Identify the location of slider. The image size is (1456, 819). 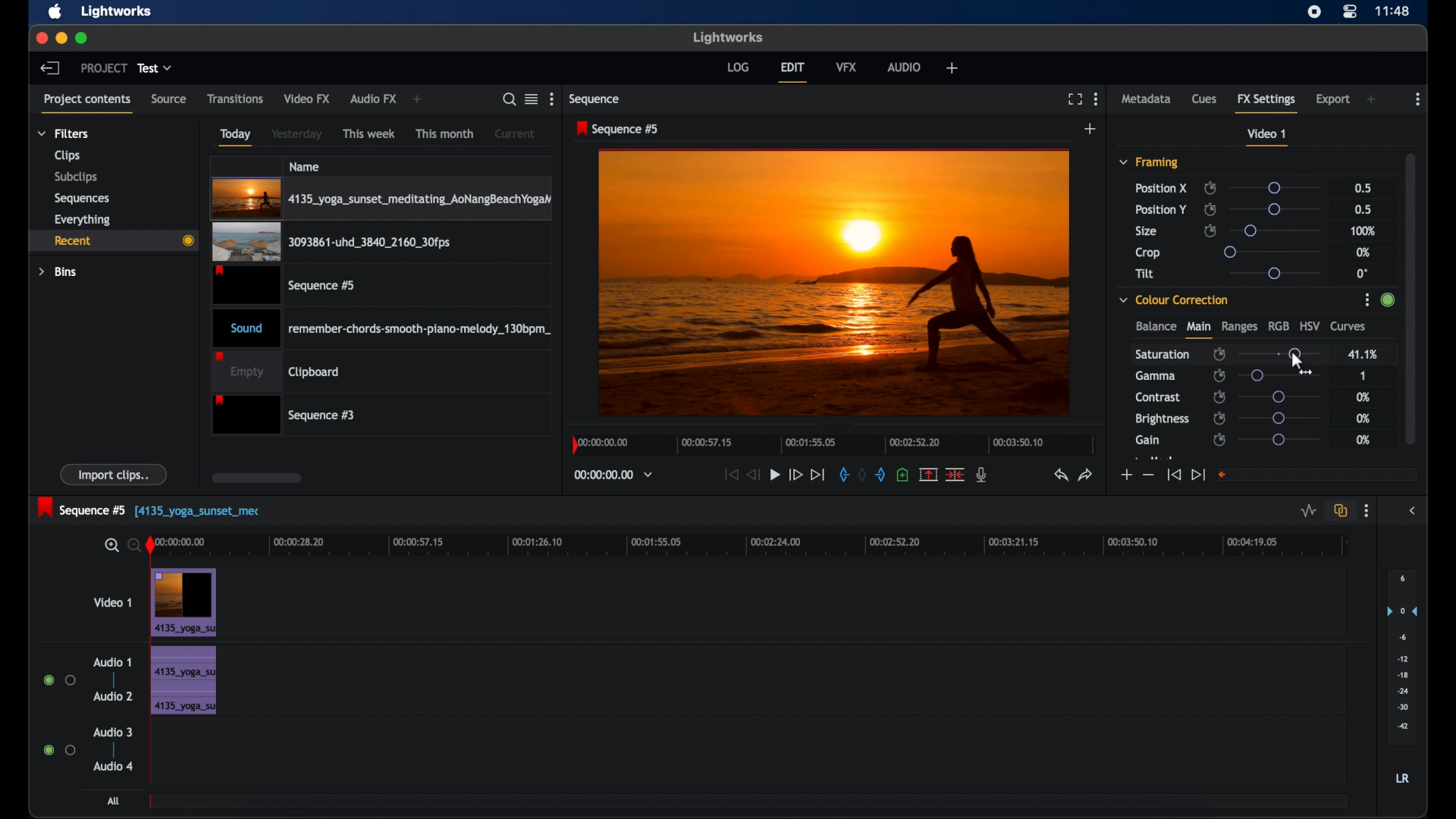
(1279, 440).